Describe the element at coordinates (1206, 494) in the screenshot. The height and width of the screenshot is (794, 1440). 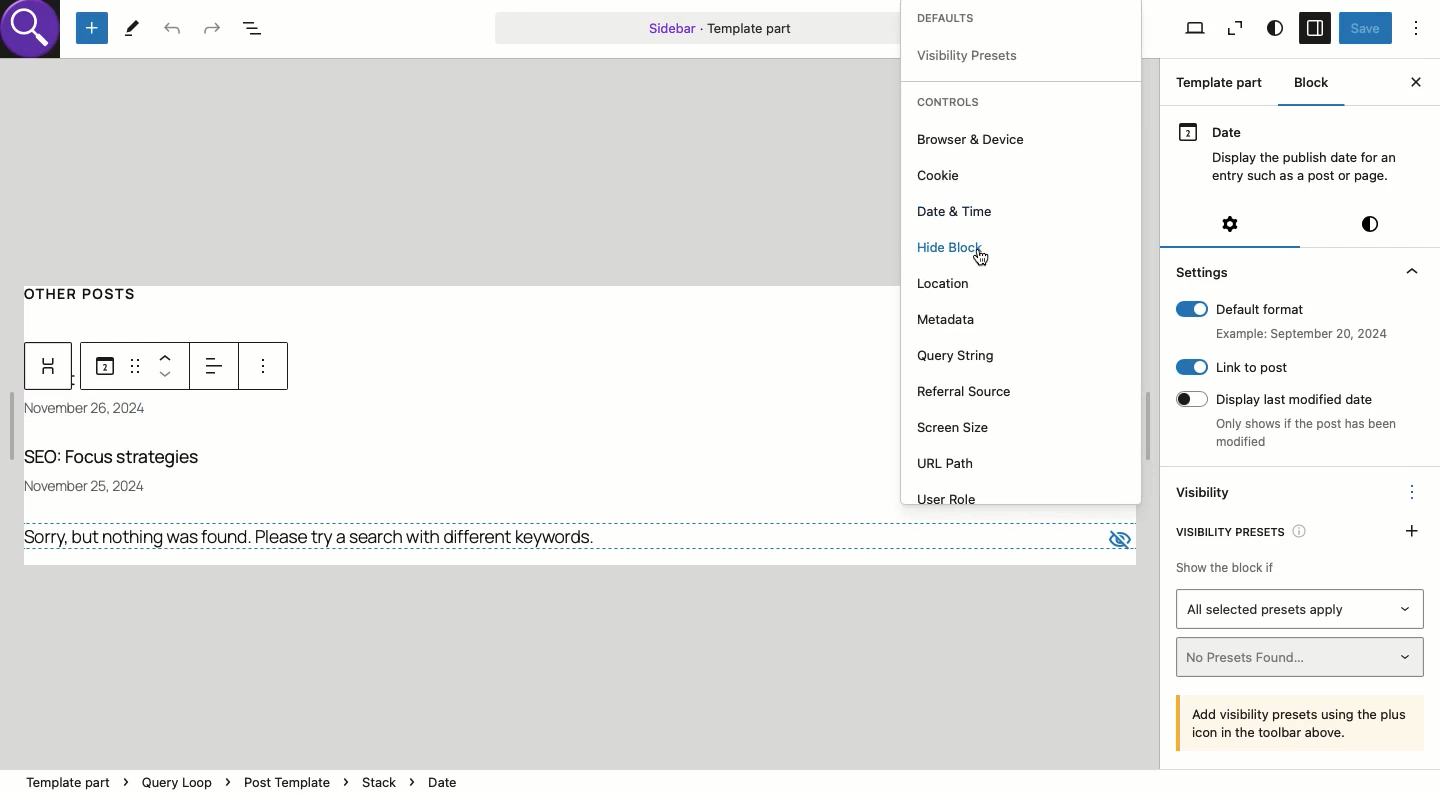
I see `Visibility ` at that location.